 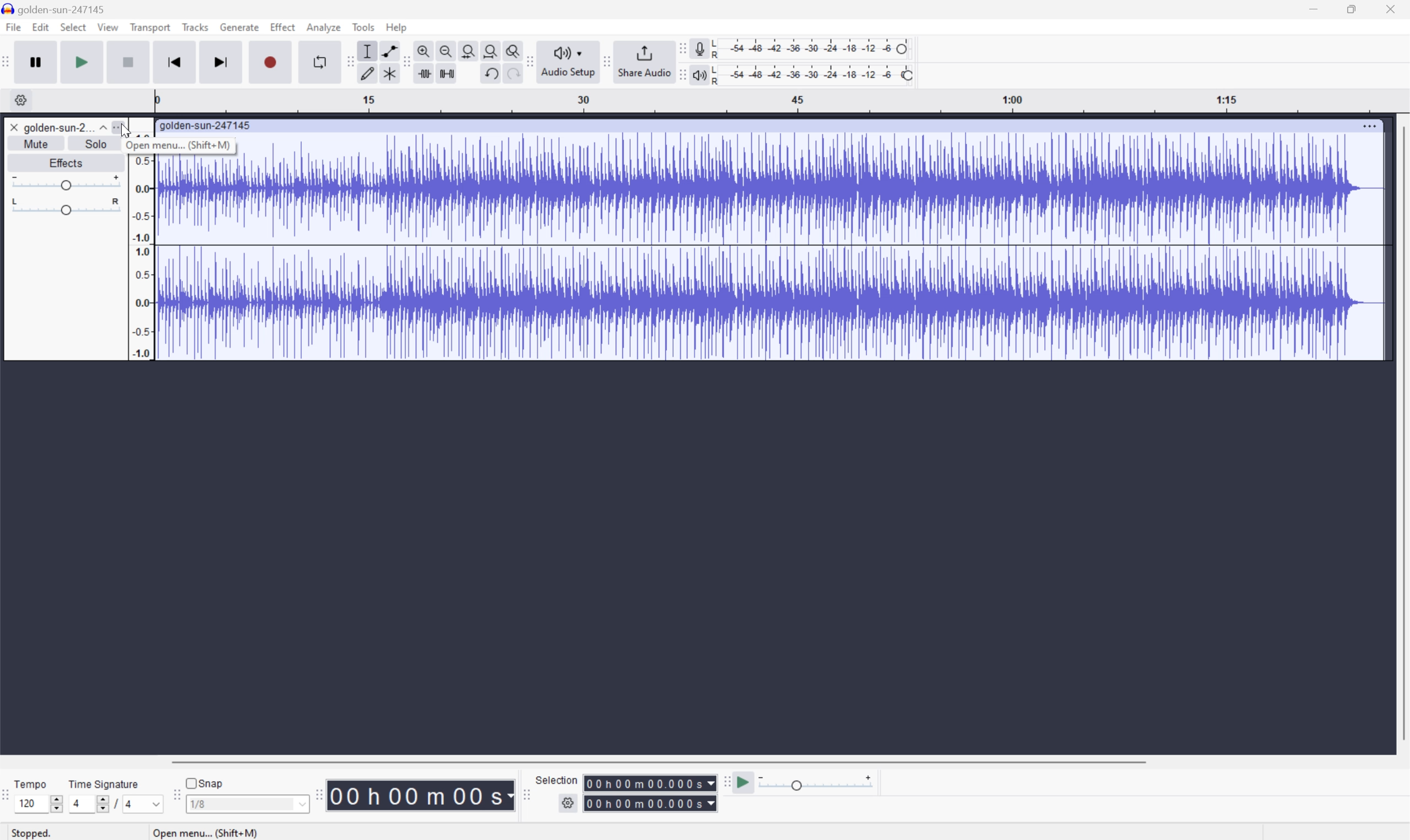 I want to click on Silence audio selection, so click(x=448, y=73).